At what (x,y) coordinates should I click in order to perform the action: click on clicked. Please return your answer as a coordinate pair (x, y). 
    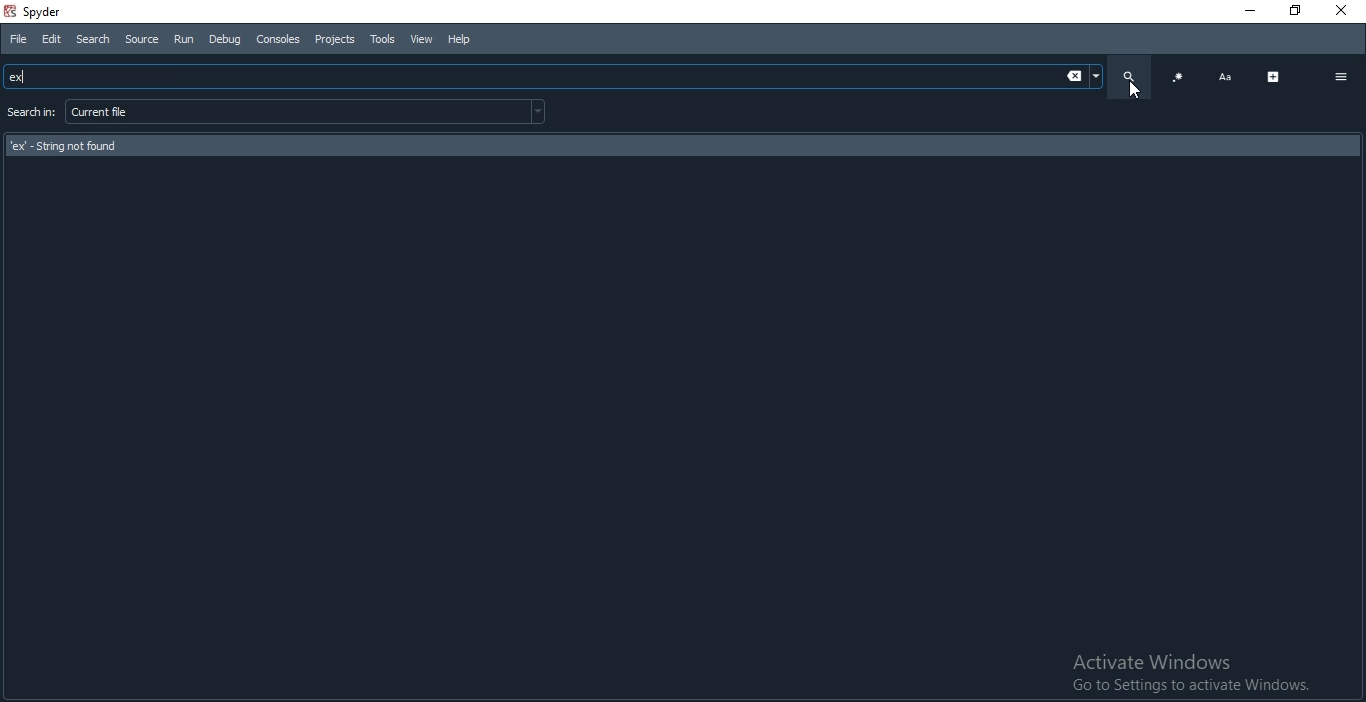
    Looking at the image, I should click on (553, 77).